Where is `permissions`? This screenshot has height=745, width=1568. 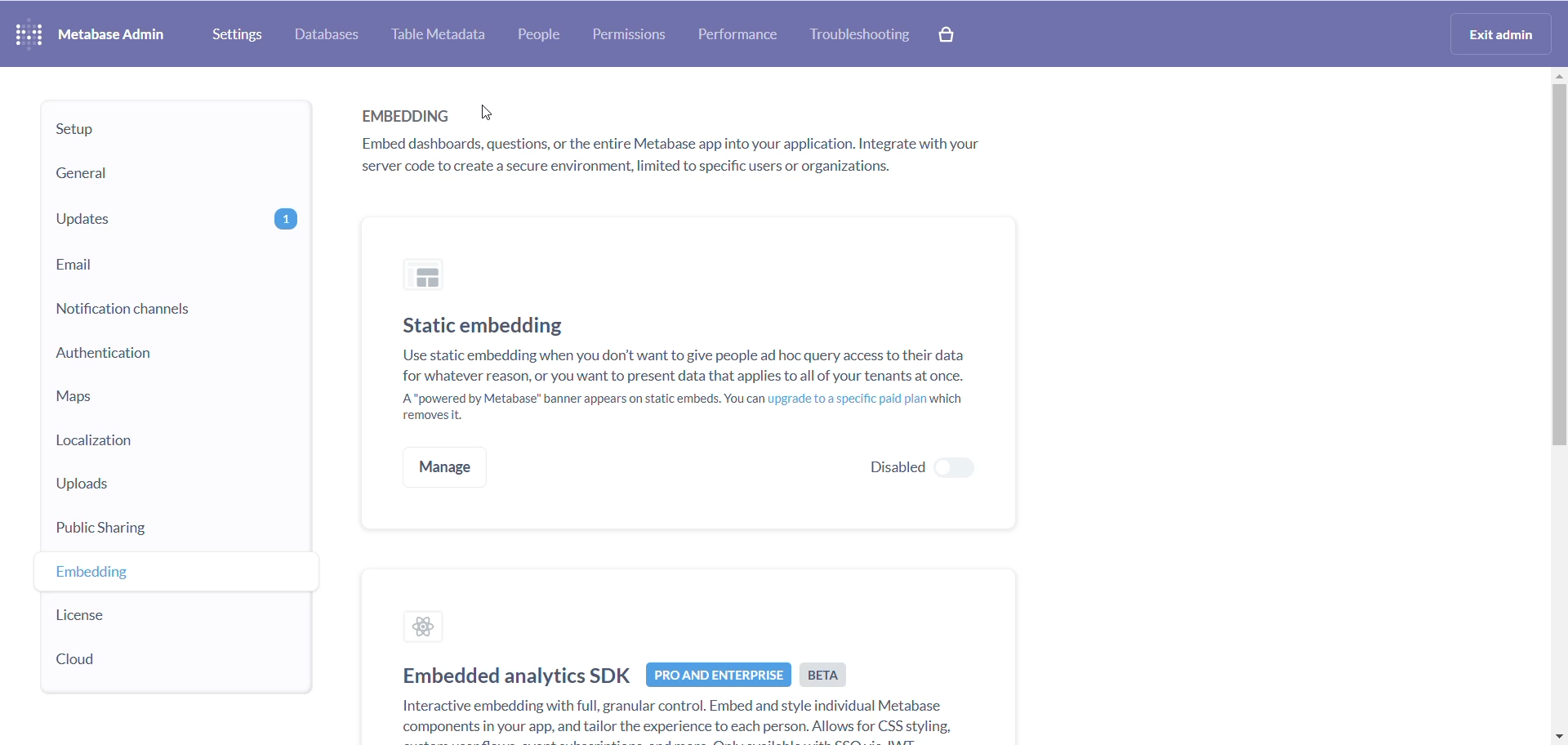
permissions is located at coordinates (626, 34).